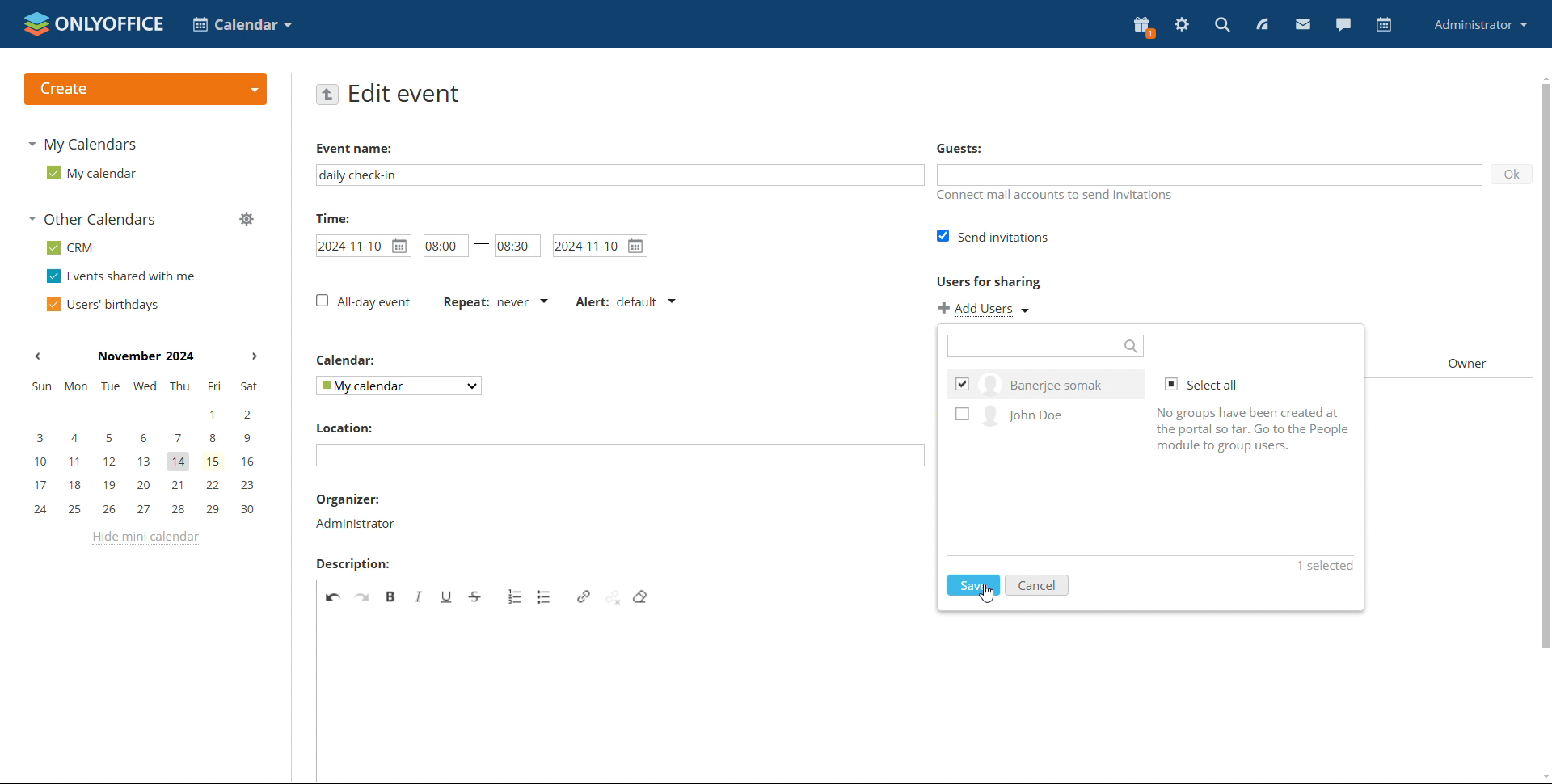  I want to click on select all, so click(1208, 385).